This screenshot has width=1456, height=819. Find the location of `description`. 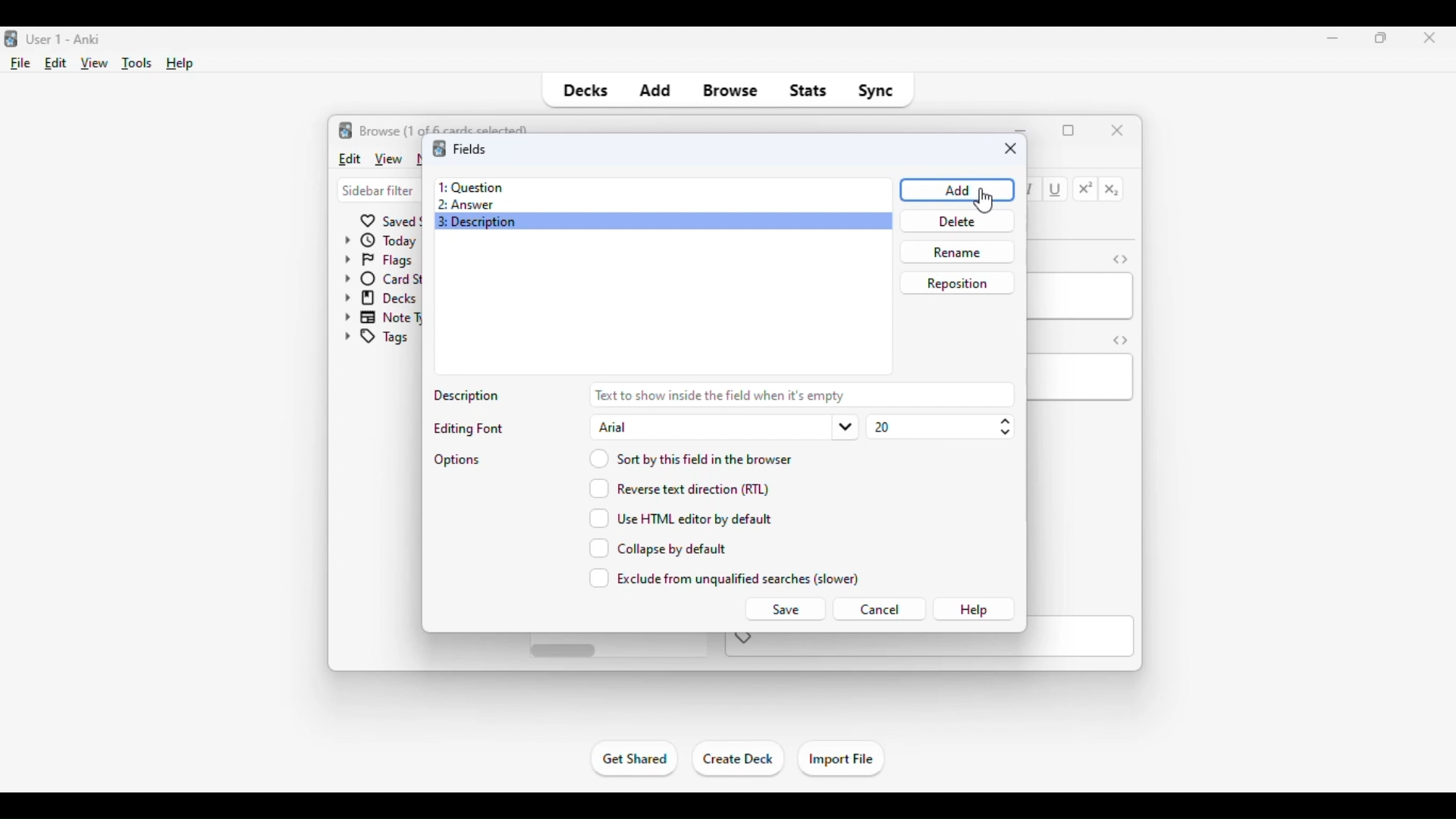

description is located at coordinates (468, 397).